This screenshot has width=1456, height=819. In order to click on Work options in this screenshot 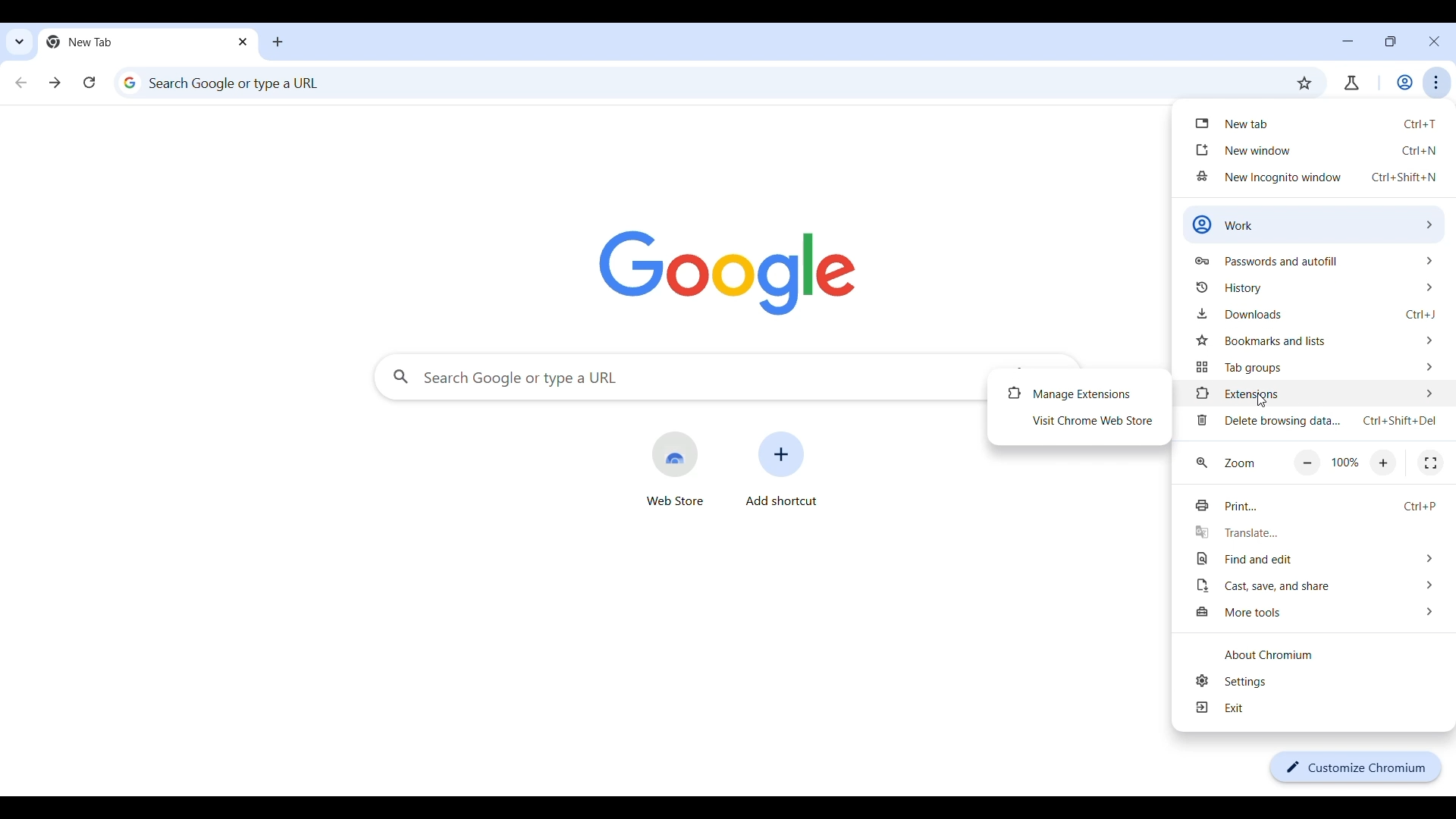, I will do `click(1313, 224)`.